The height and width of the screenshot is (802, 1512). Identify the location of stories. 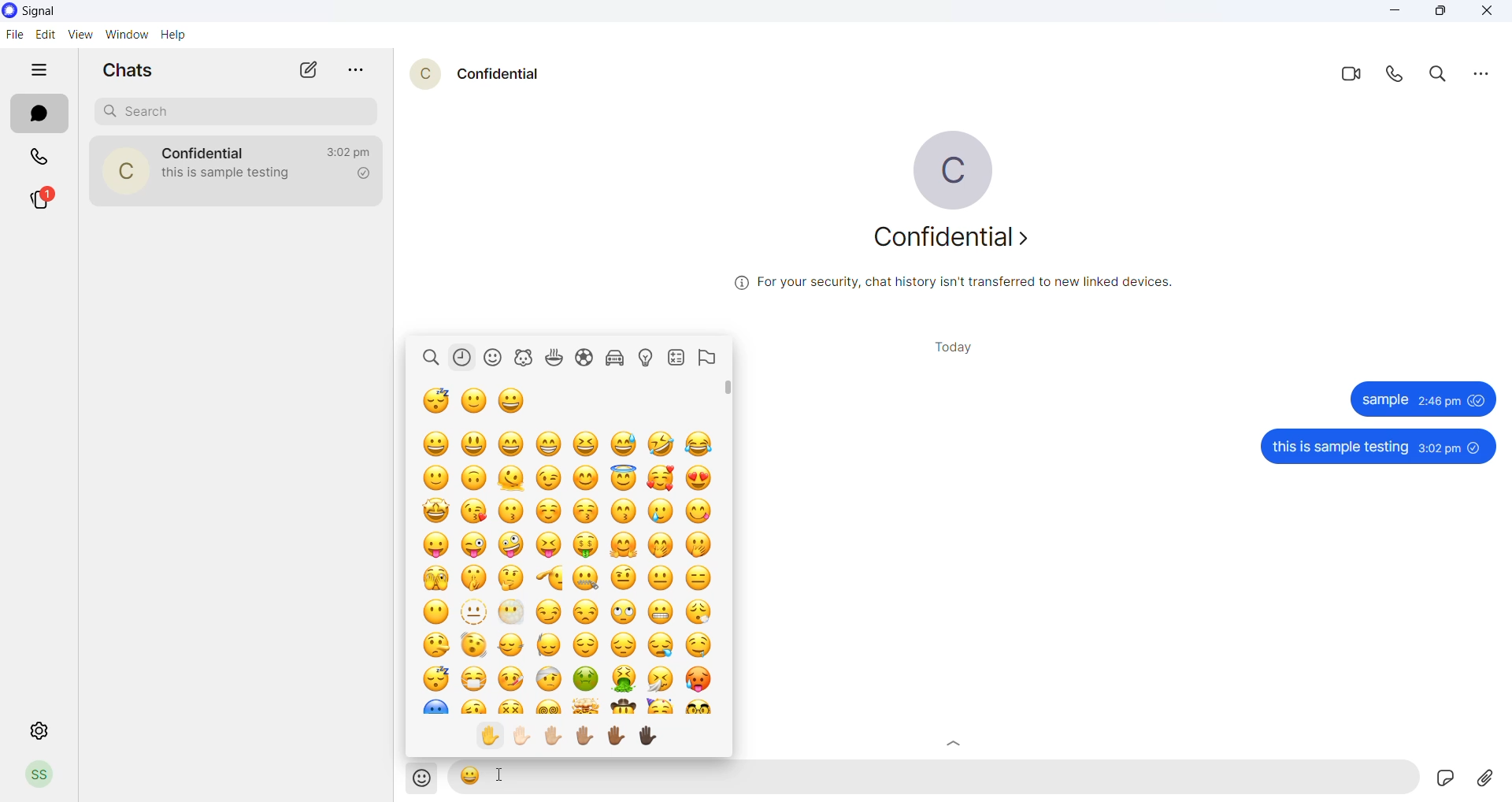
(43, 199).